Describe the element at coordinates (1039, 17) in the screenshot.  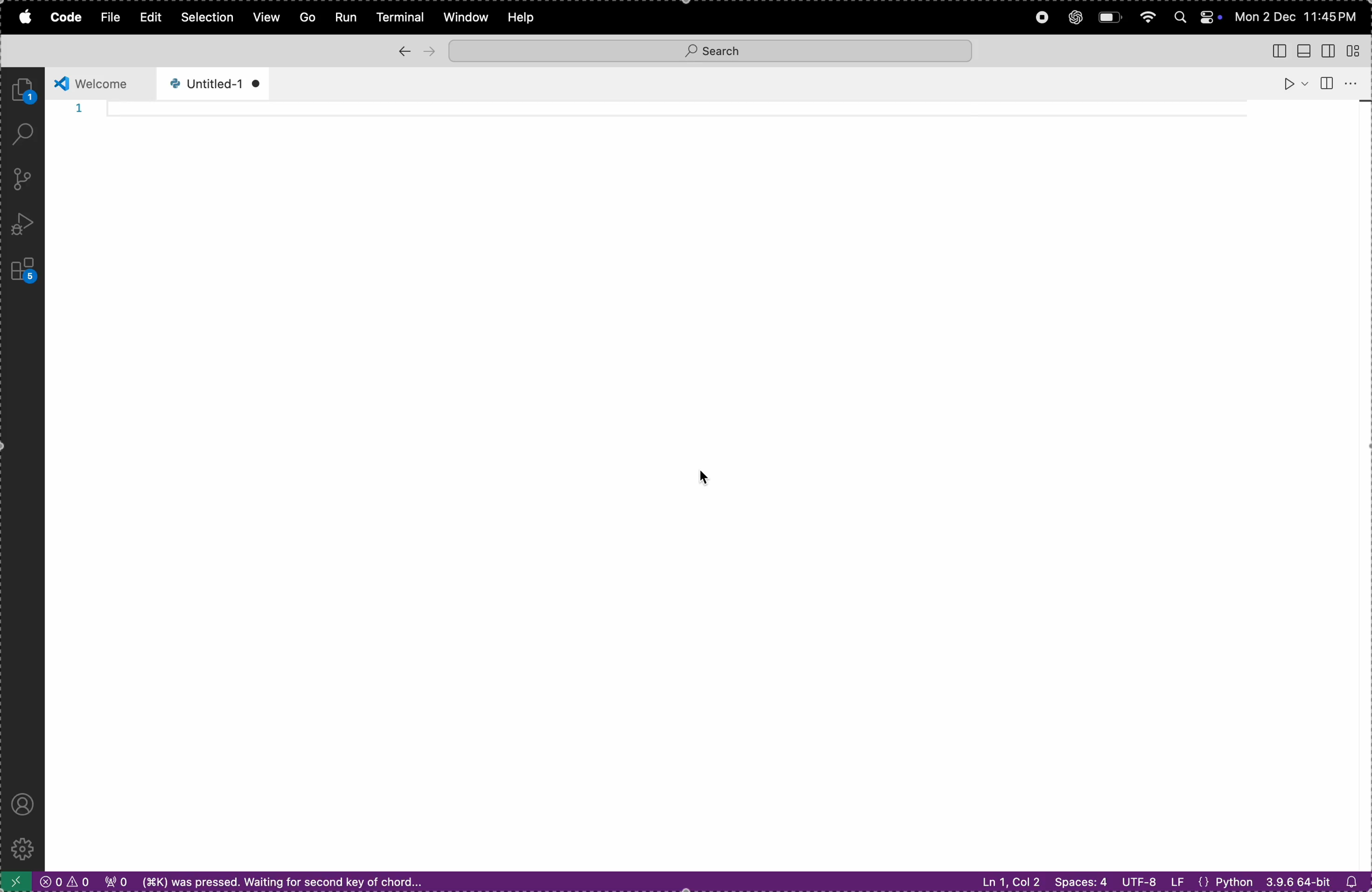
I see `record` at that location.